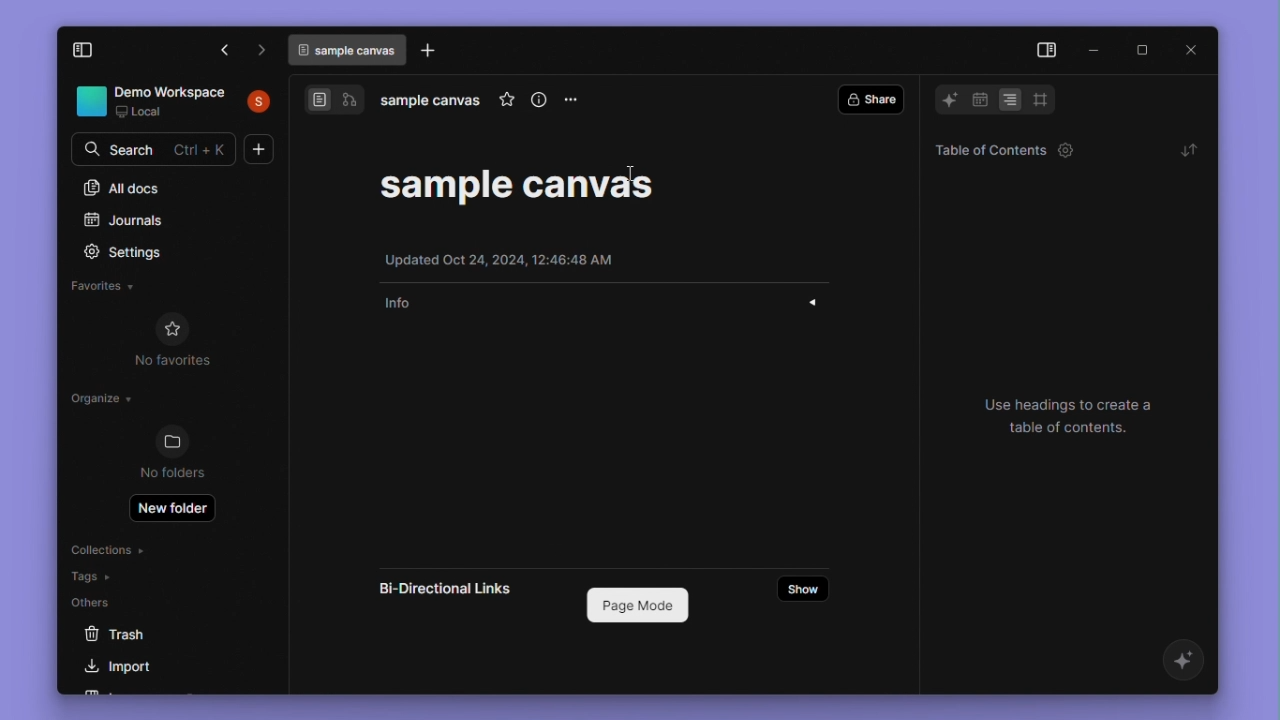  Describe the element at coordinates (431, 51) in the screenshot. I see `new tab` at that location.